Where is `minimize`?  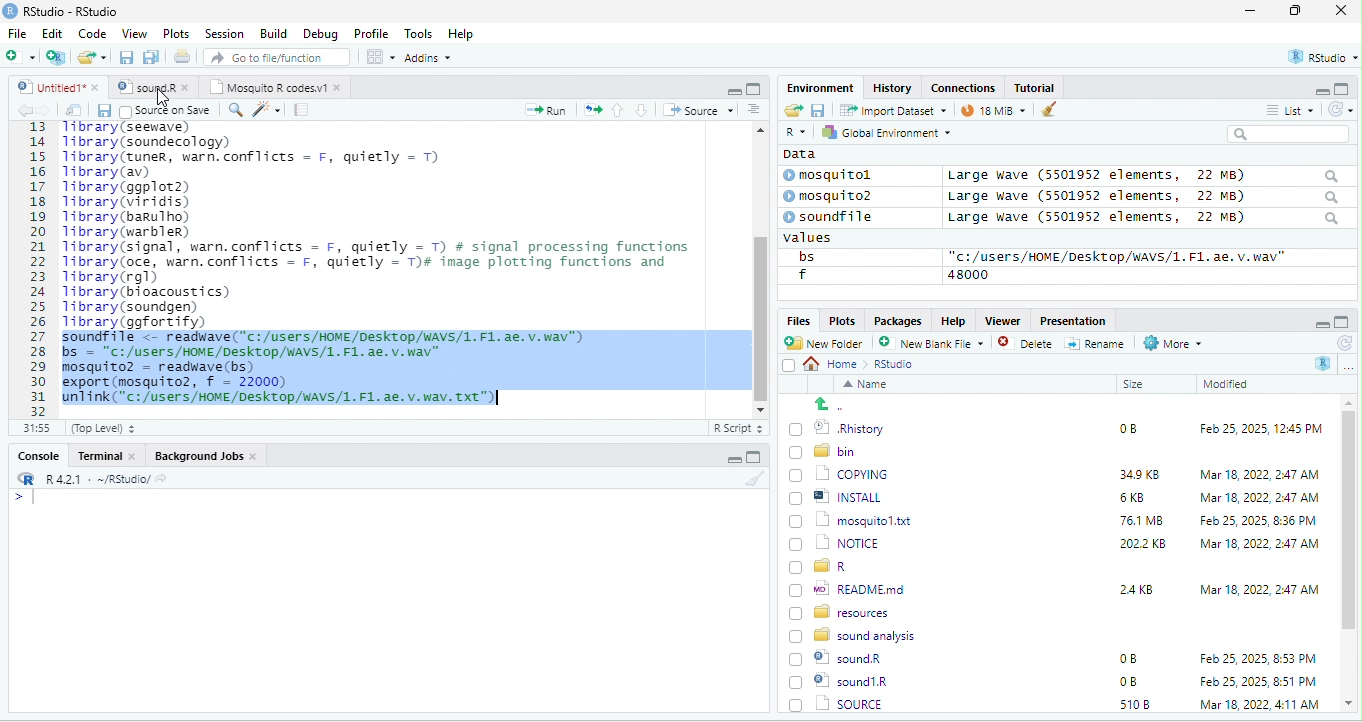
minimize is located at coordinates (731, 460).